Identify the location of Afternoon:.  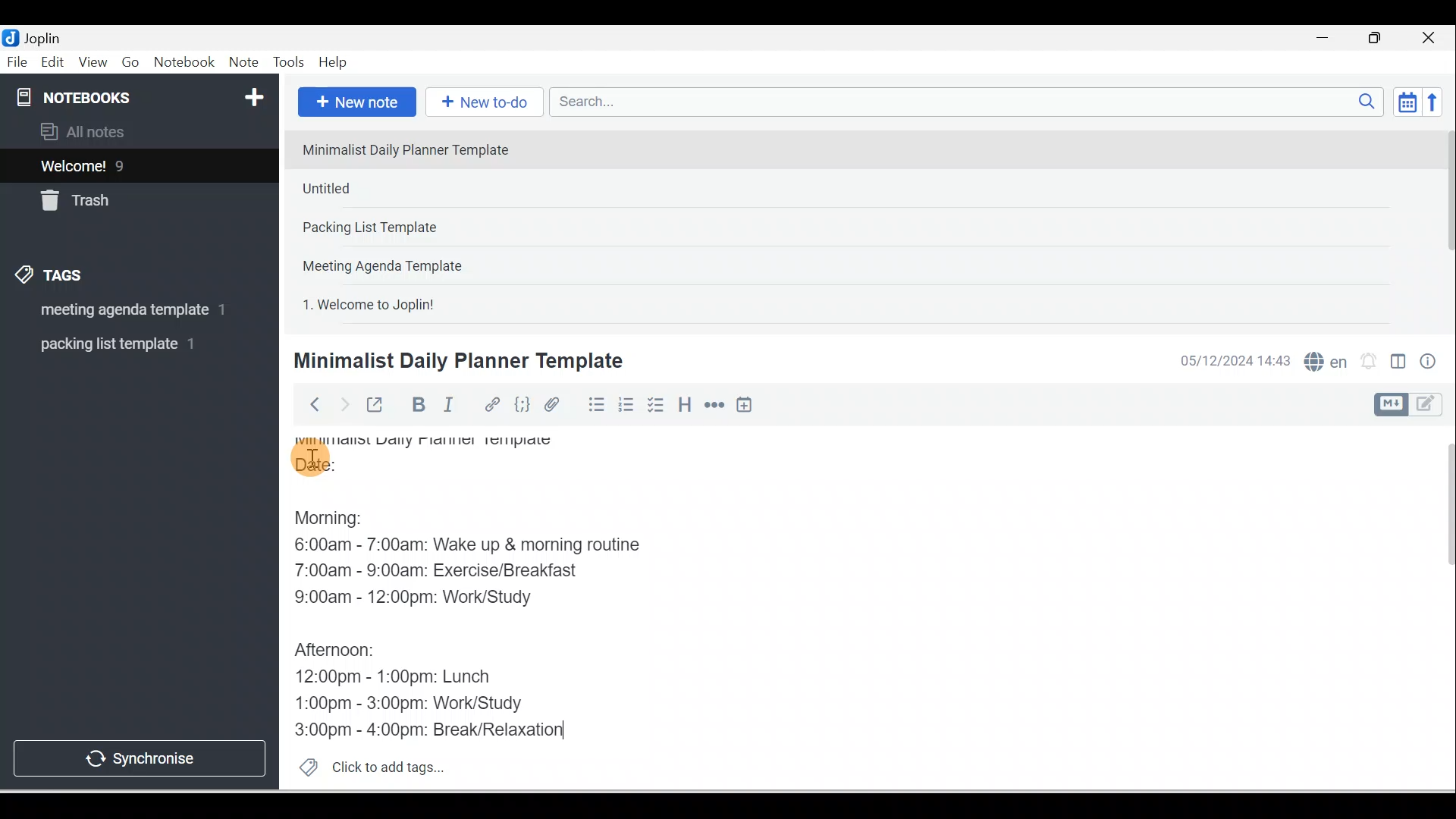
(340, 654).